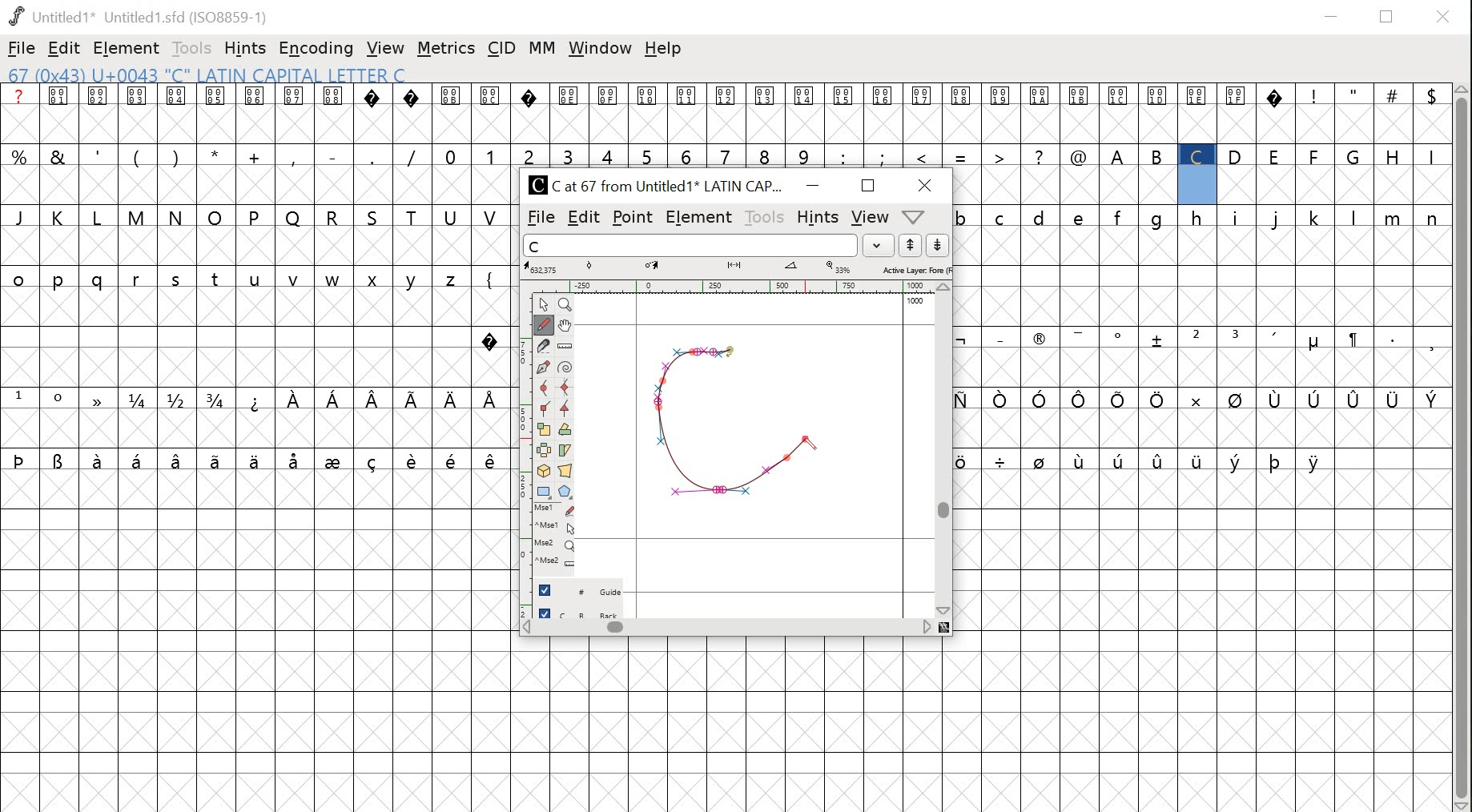 Image resolution: width=1472 pixels, height=812 pixels. Describe the element at coordinates (138, 17) in the screenshot. I see `Untitled1 Untitled 1.sfd (IS08859-1)` at that location.